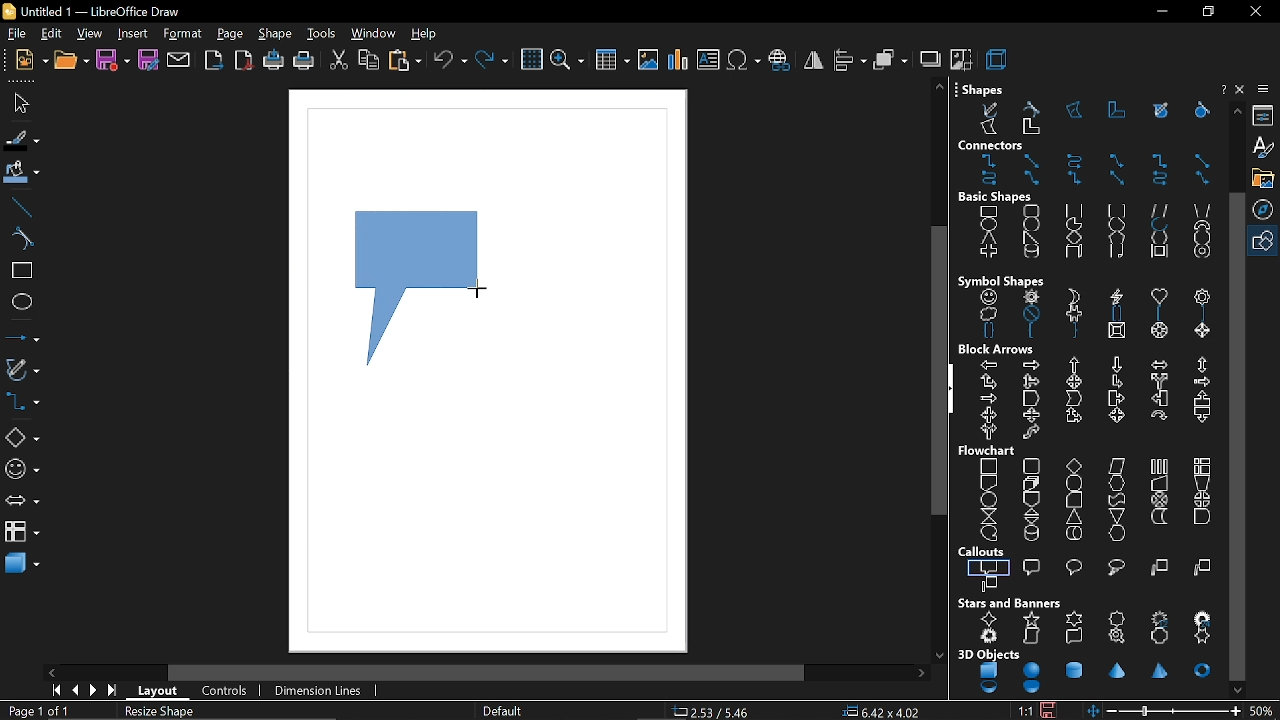  Describe the element at coordinates (1201, 332) in the screenshot. I see `diamond bevel` at that location.